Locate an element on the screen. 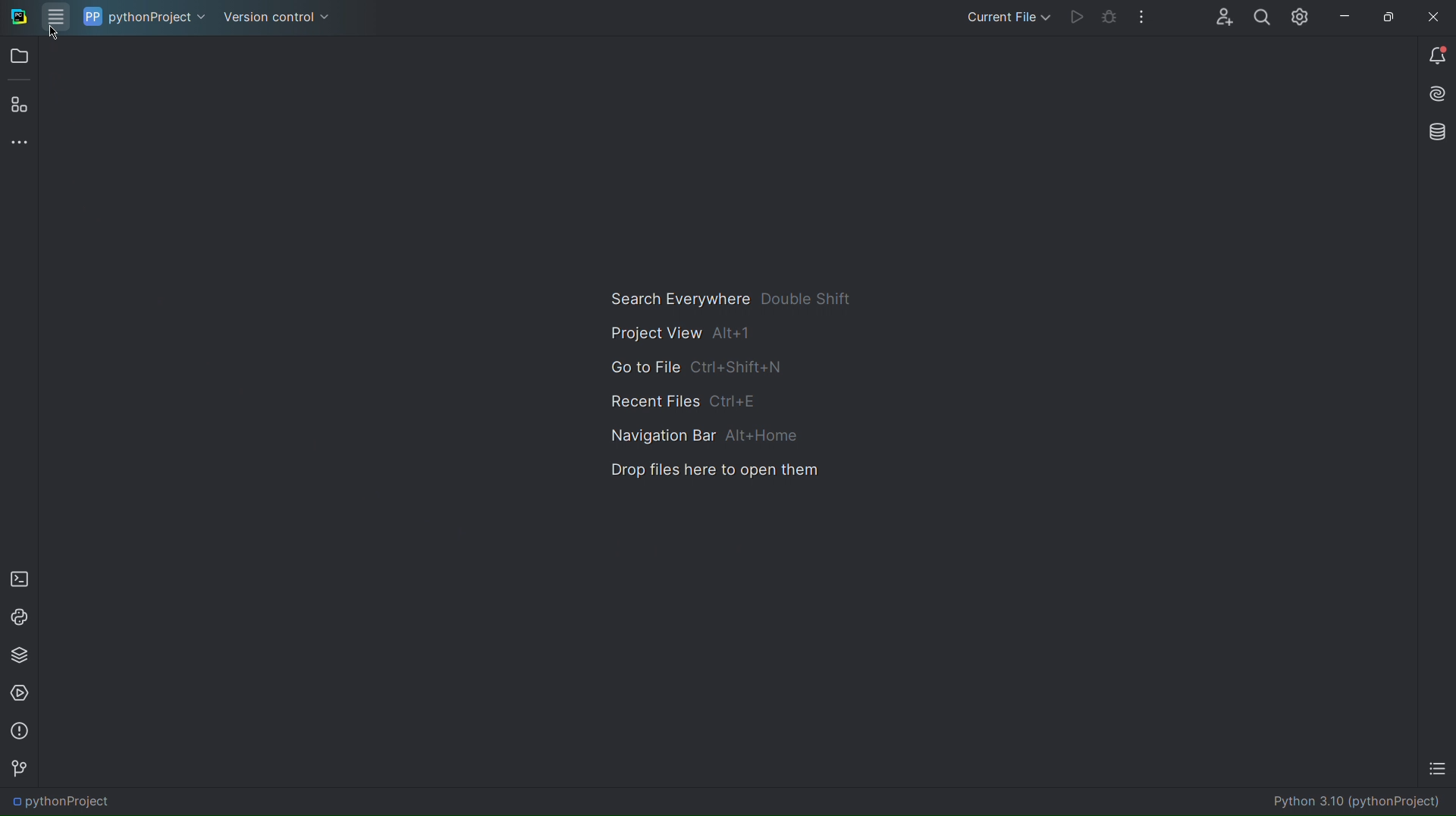 The width and height of the screenshot is (1456, 816). Navigation Bar is located at coordinates (698, 437).